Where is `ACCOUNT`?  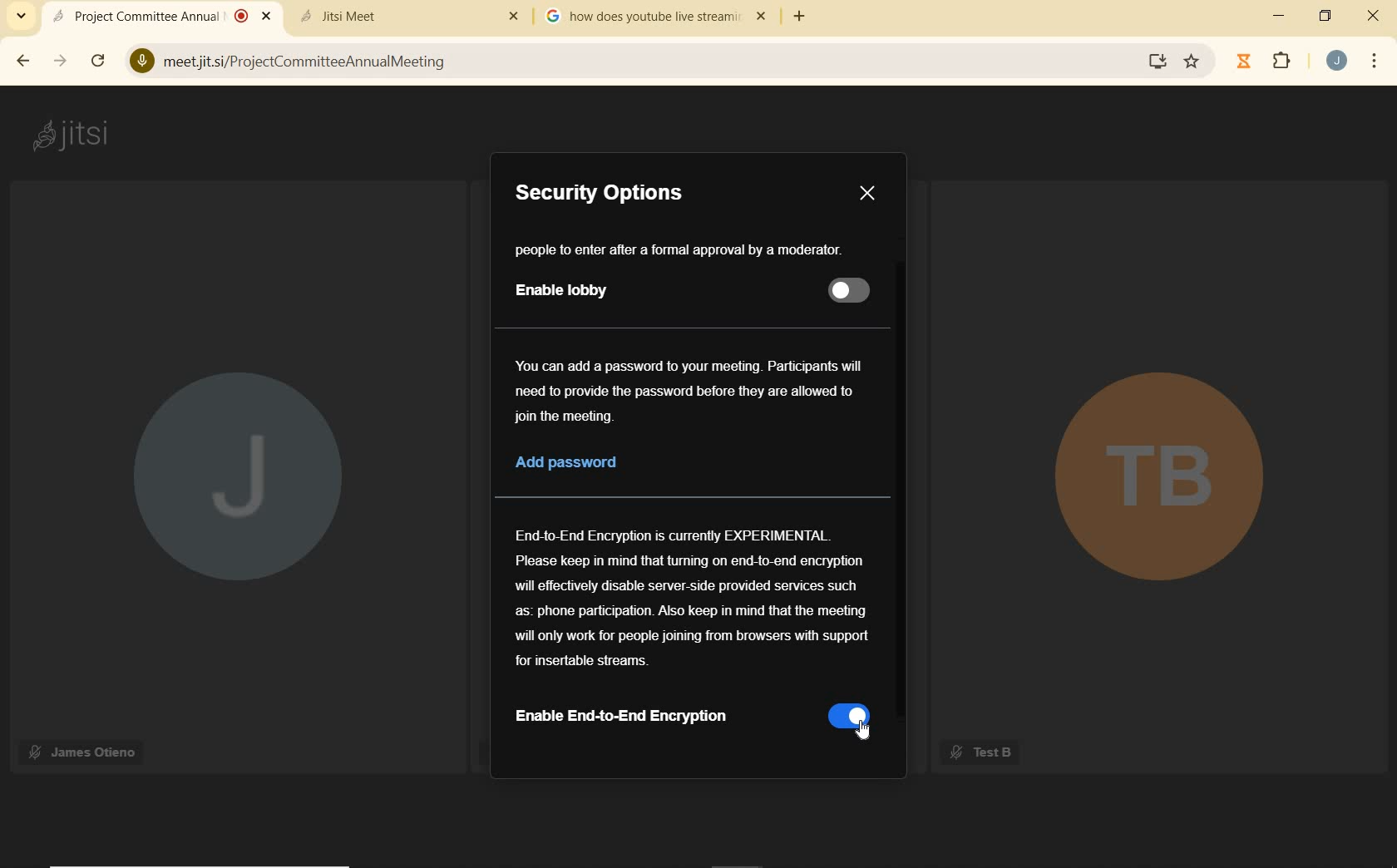
ACCOUNT is located at coordinates (1336, 60).